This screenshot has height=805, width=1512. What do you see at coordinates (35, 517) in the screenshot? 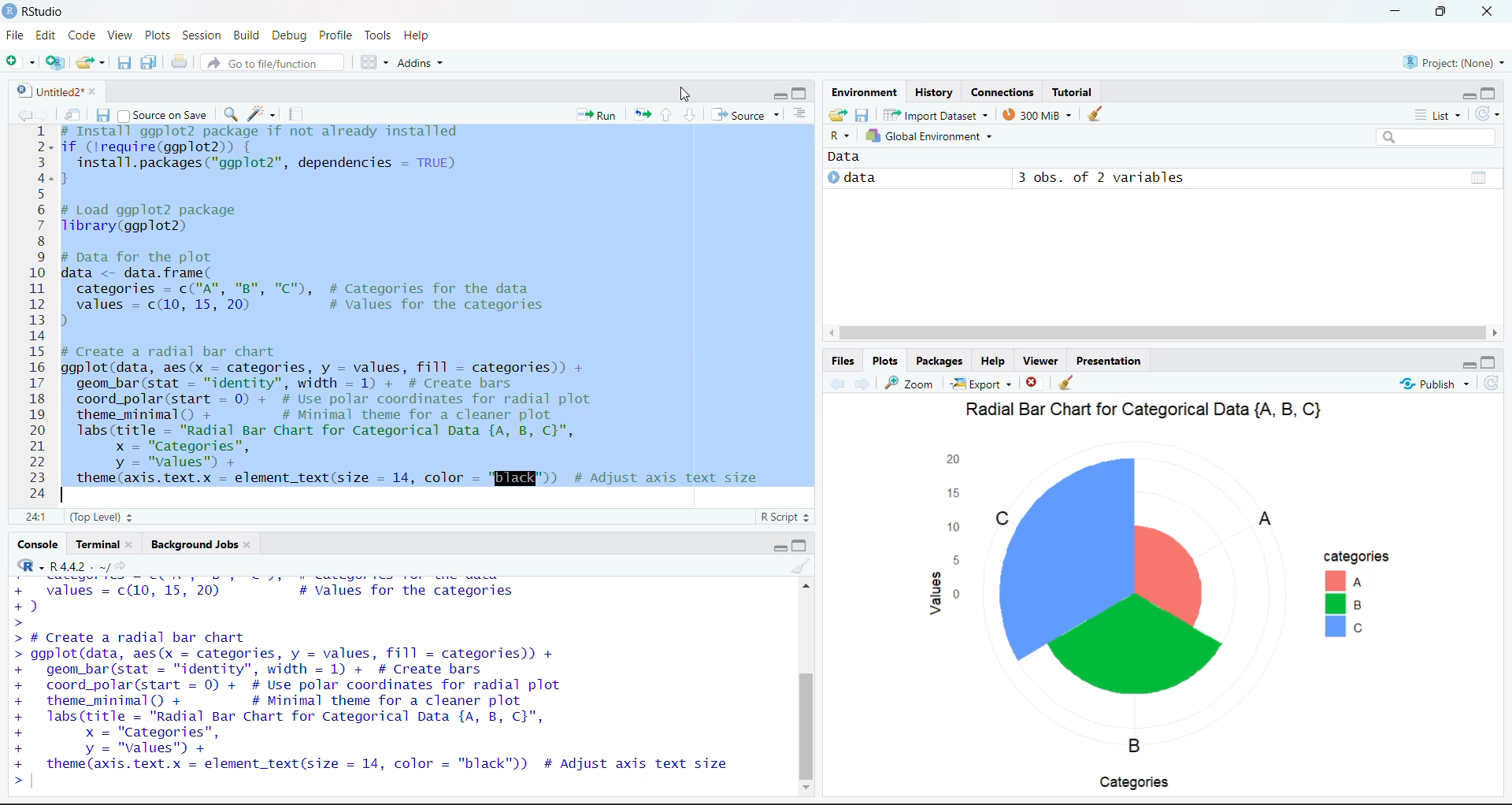
I see `1:1` at bounding box center [35, 517].